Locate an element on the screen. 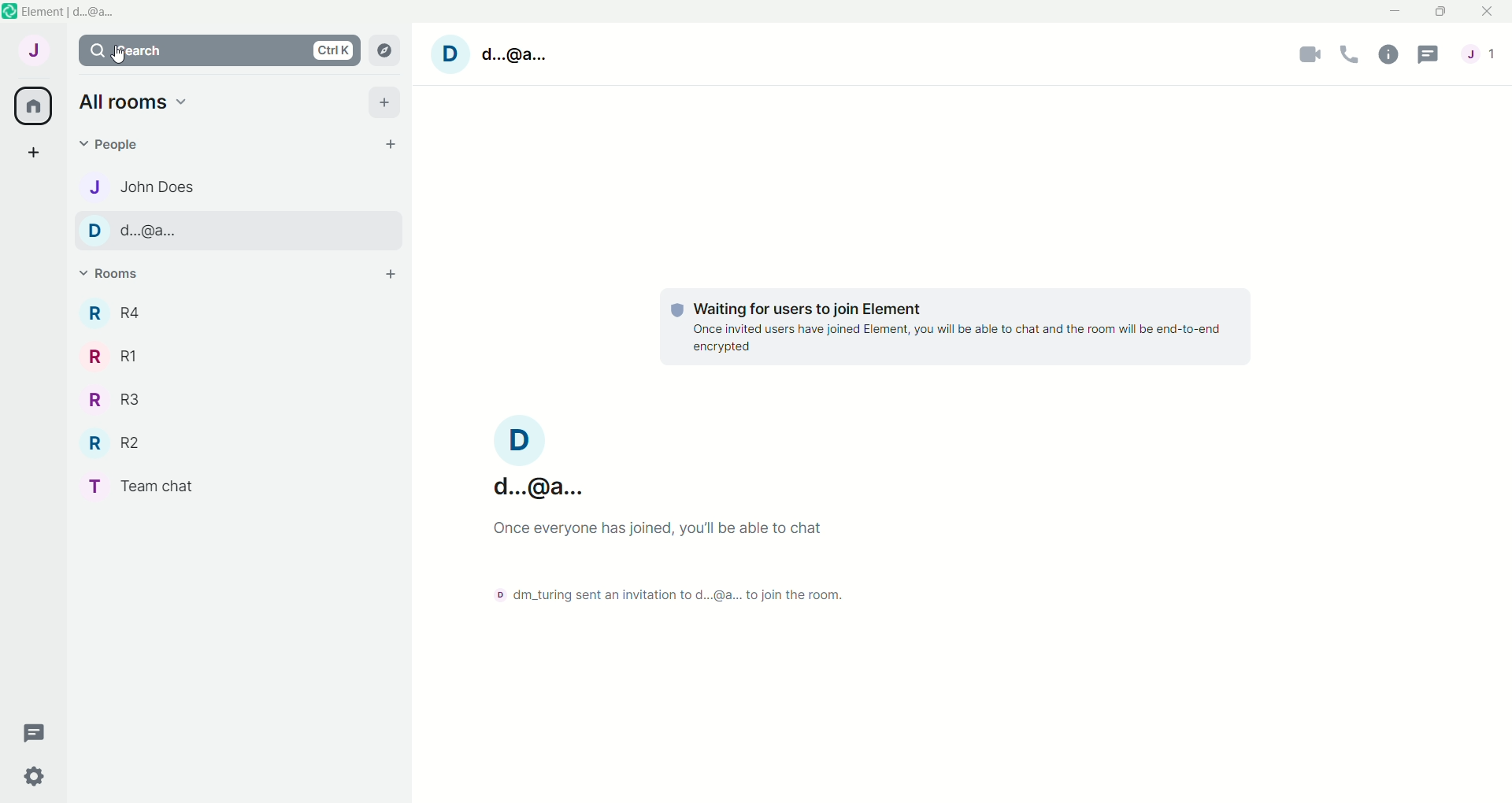 The height and width of the screenshot is (803, 1512). team chat is located at coordinates (152, 488).